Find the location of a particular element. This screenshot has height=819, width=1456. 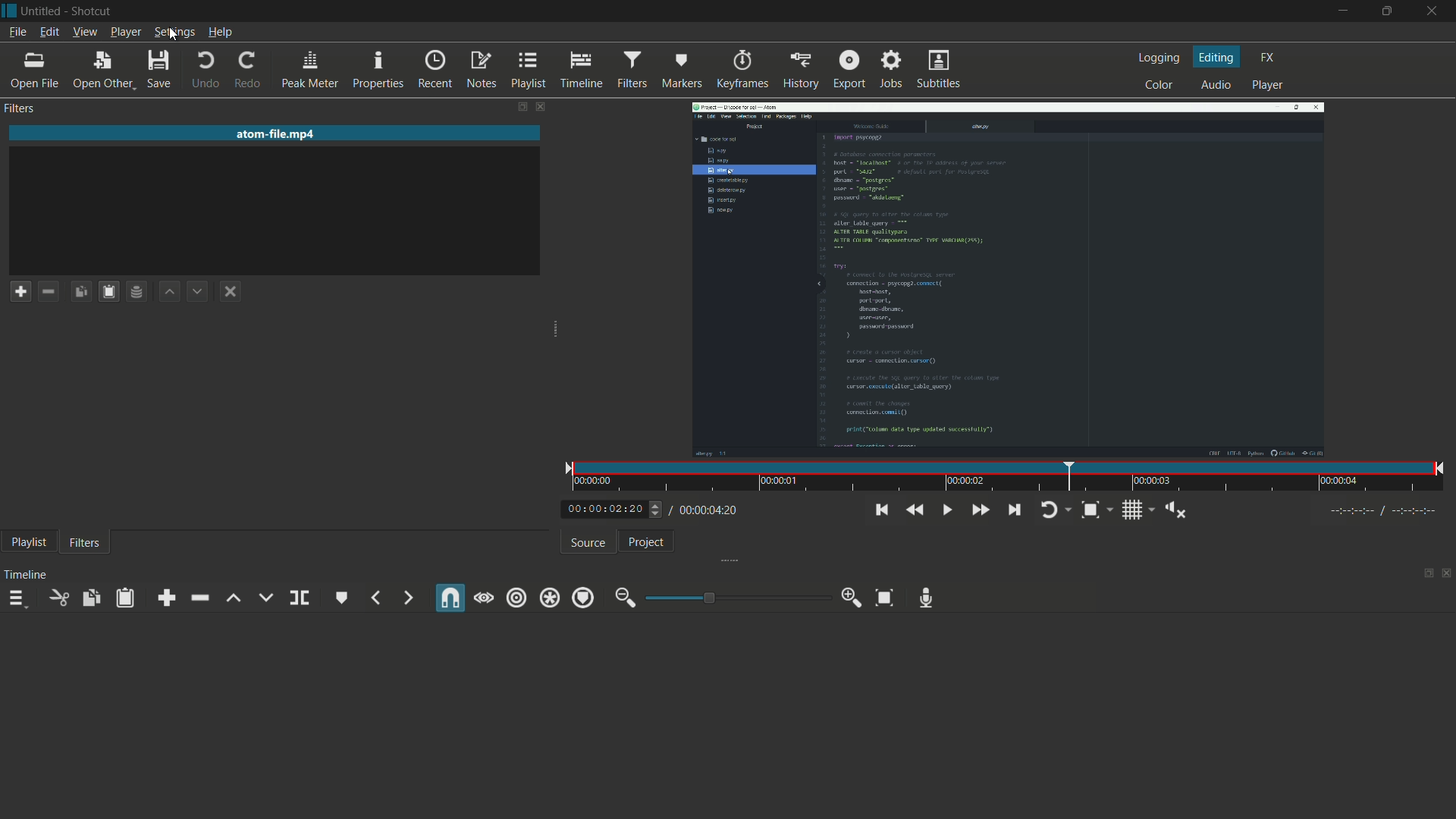

subtitles is located at coordinates (939, 69).